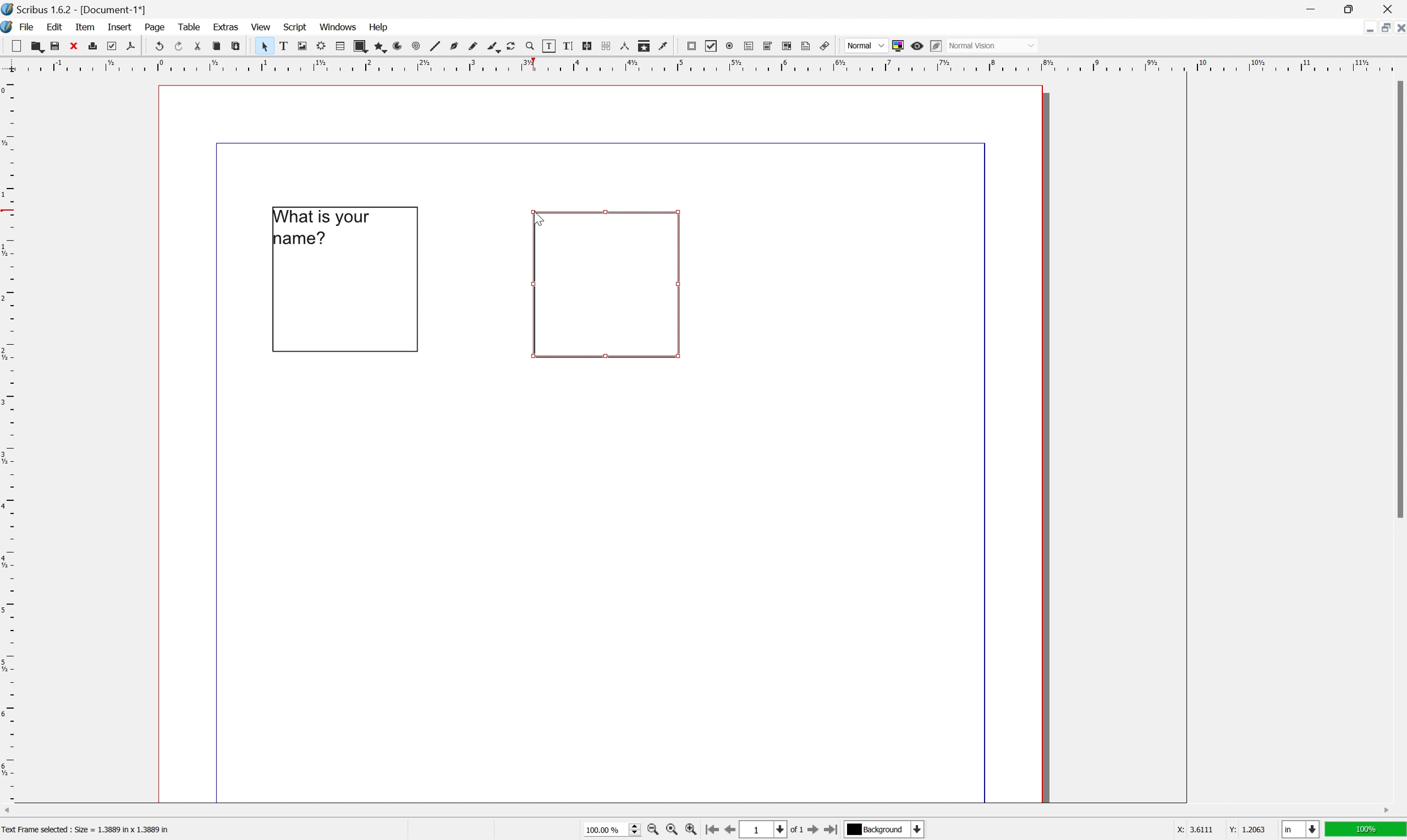  I want to click on scribus 1.6.2 - [document-1*], so click(74, 8).